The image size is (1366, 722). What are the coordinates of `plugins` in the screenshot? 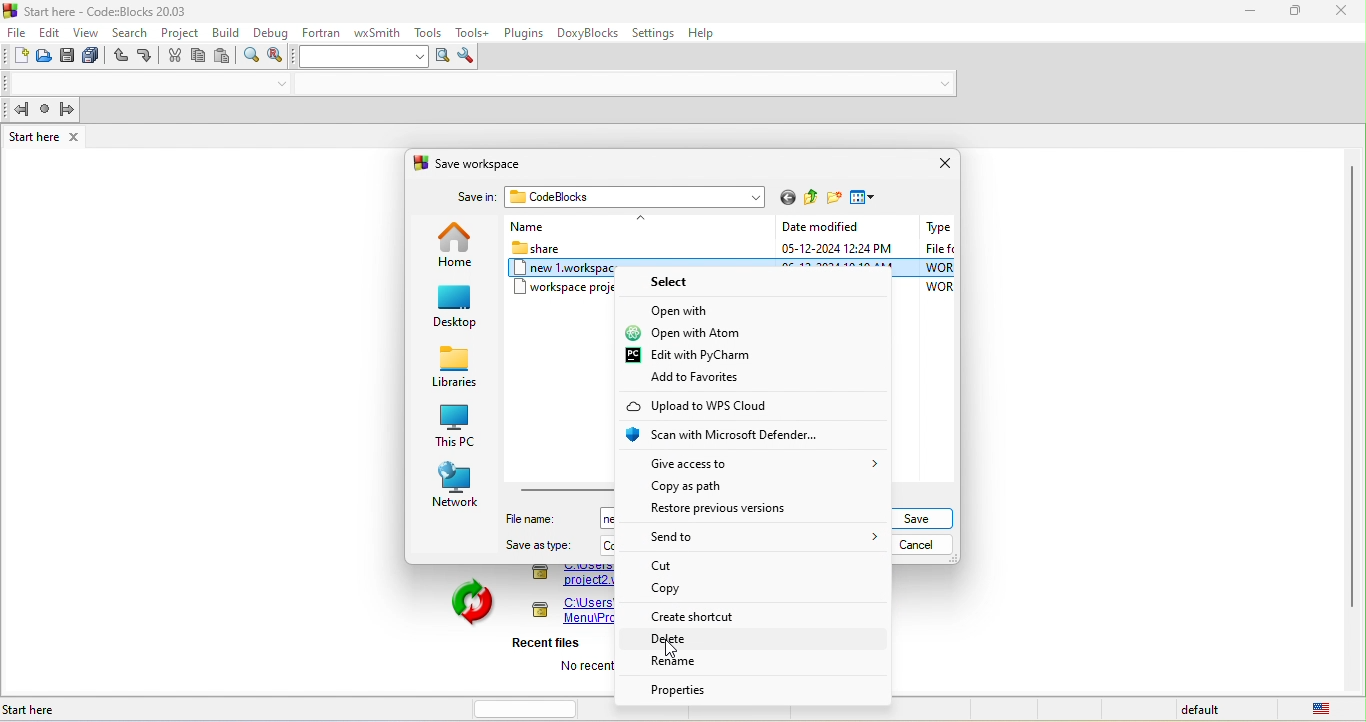 It's located at (523, 31).